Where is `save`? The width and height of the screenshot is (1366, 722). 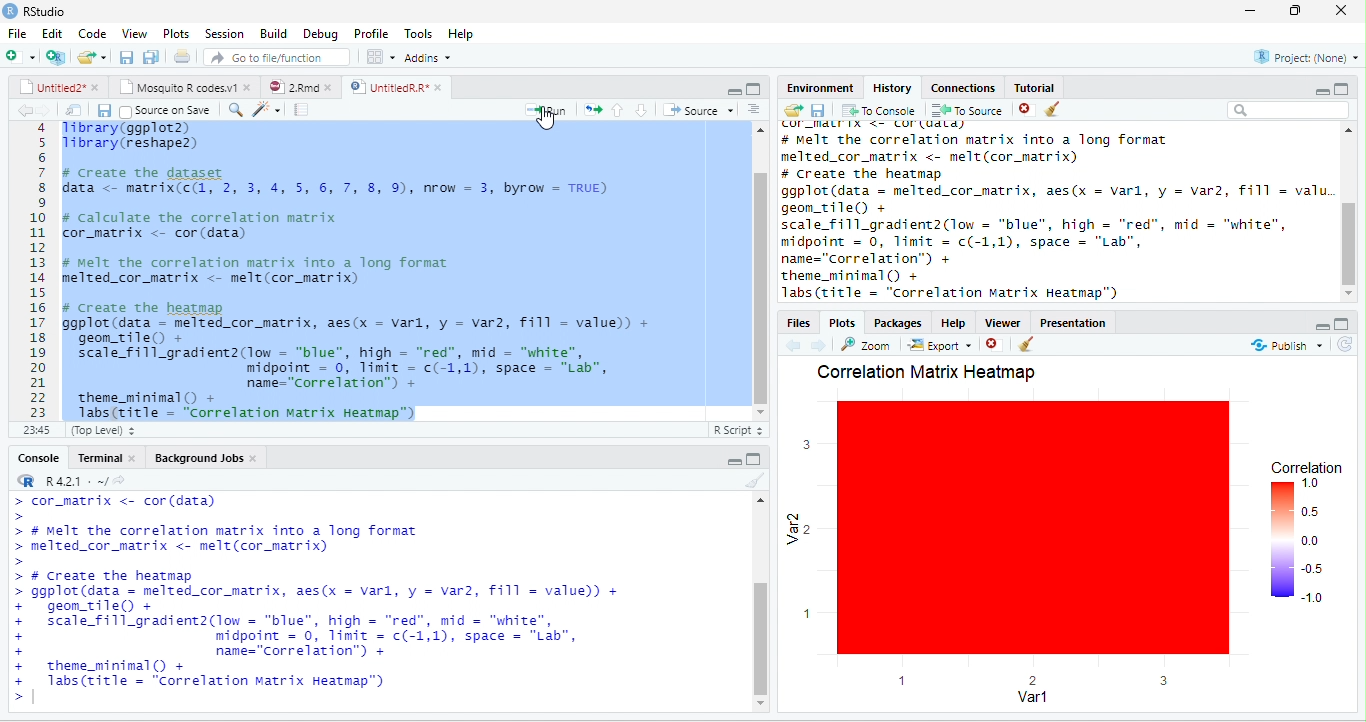
save is located at coordinates (817, 110).